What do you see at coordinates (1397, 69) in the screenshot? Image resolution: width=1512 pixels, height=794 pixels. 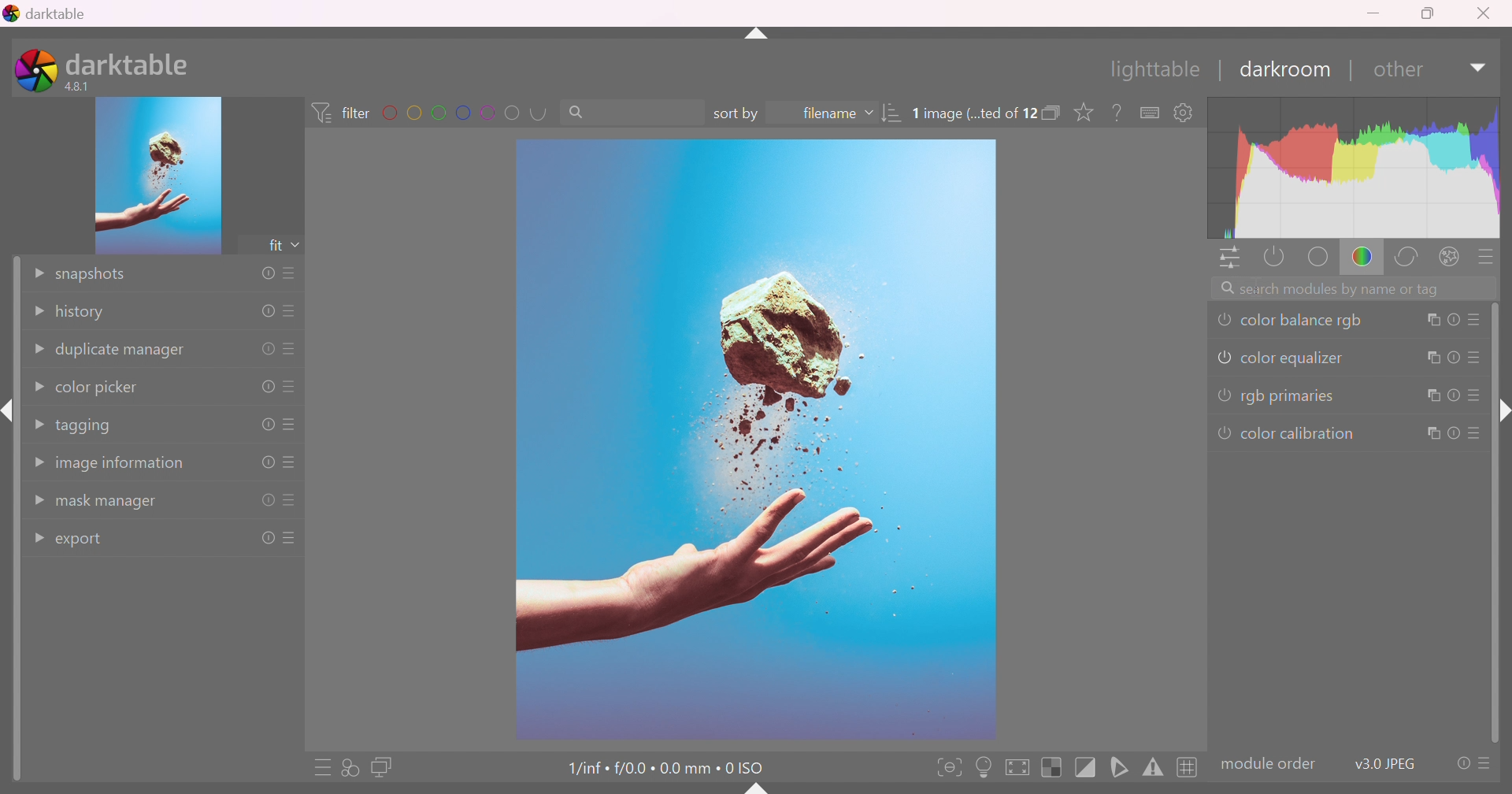 I see `down` at bounding box center [1397, 69].